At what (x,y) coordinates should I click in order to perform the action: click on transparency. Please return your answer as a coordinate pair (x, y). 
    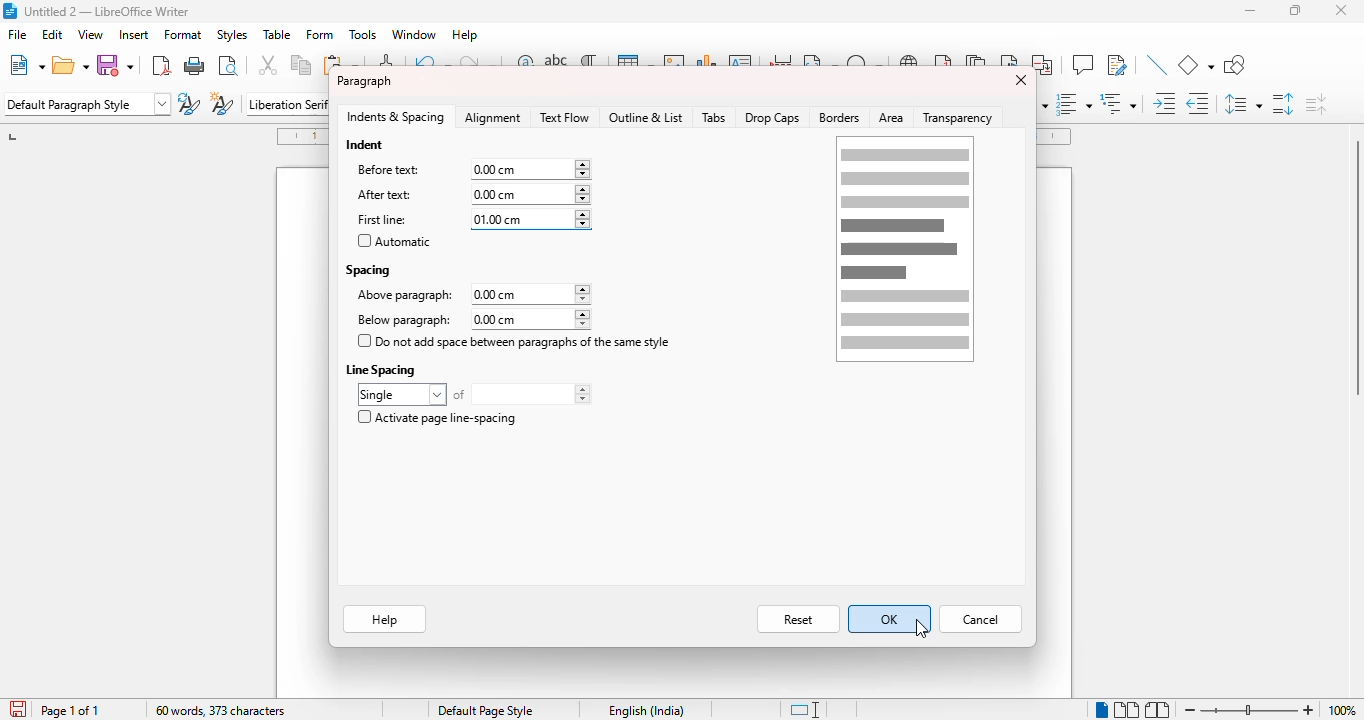
    Looking at the image, I should click on (961, 117).